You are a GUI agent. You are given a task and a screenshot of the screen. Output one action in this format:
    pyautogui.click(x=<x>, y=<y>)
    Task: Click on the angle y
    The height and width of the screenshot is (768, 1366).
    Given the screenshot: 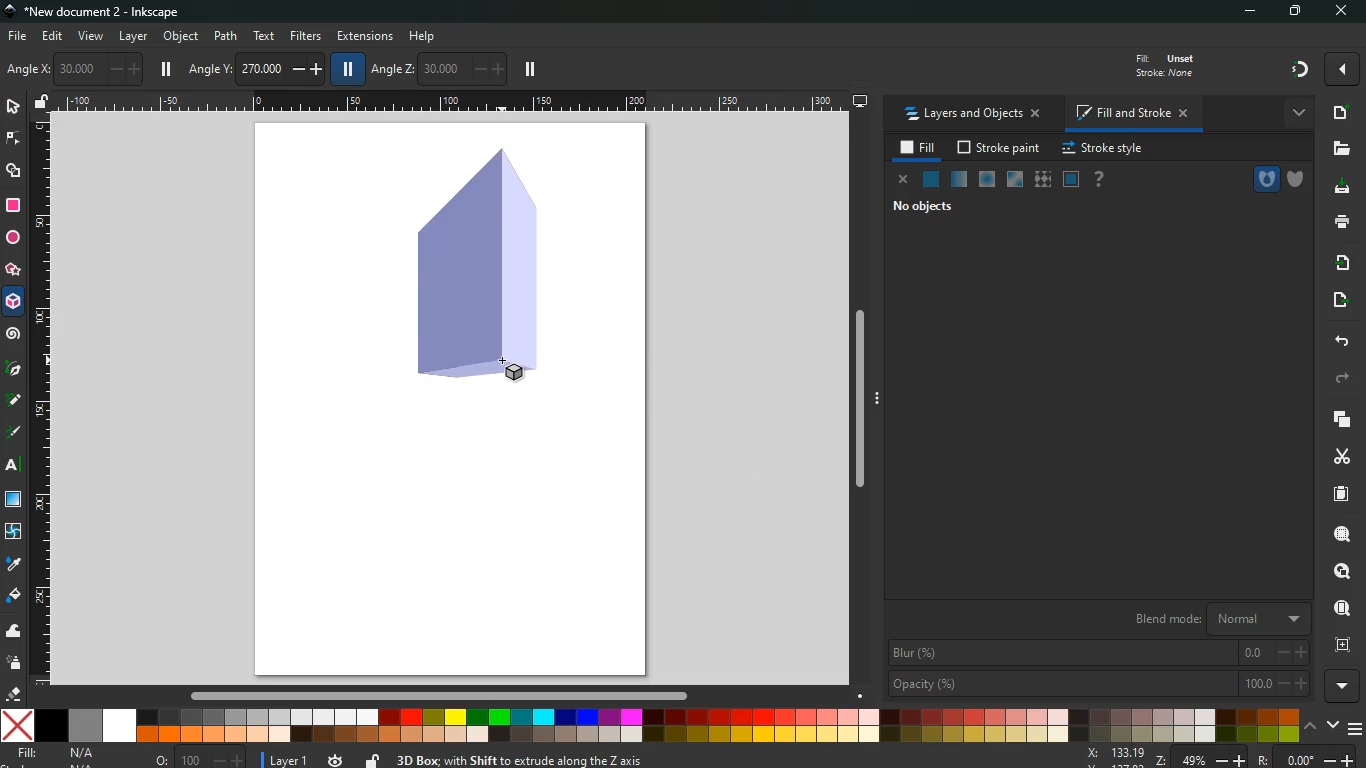 What is the action you would take?
    pyautogui.click(x=258, y=66)
    